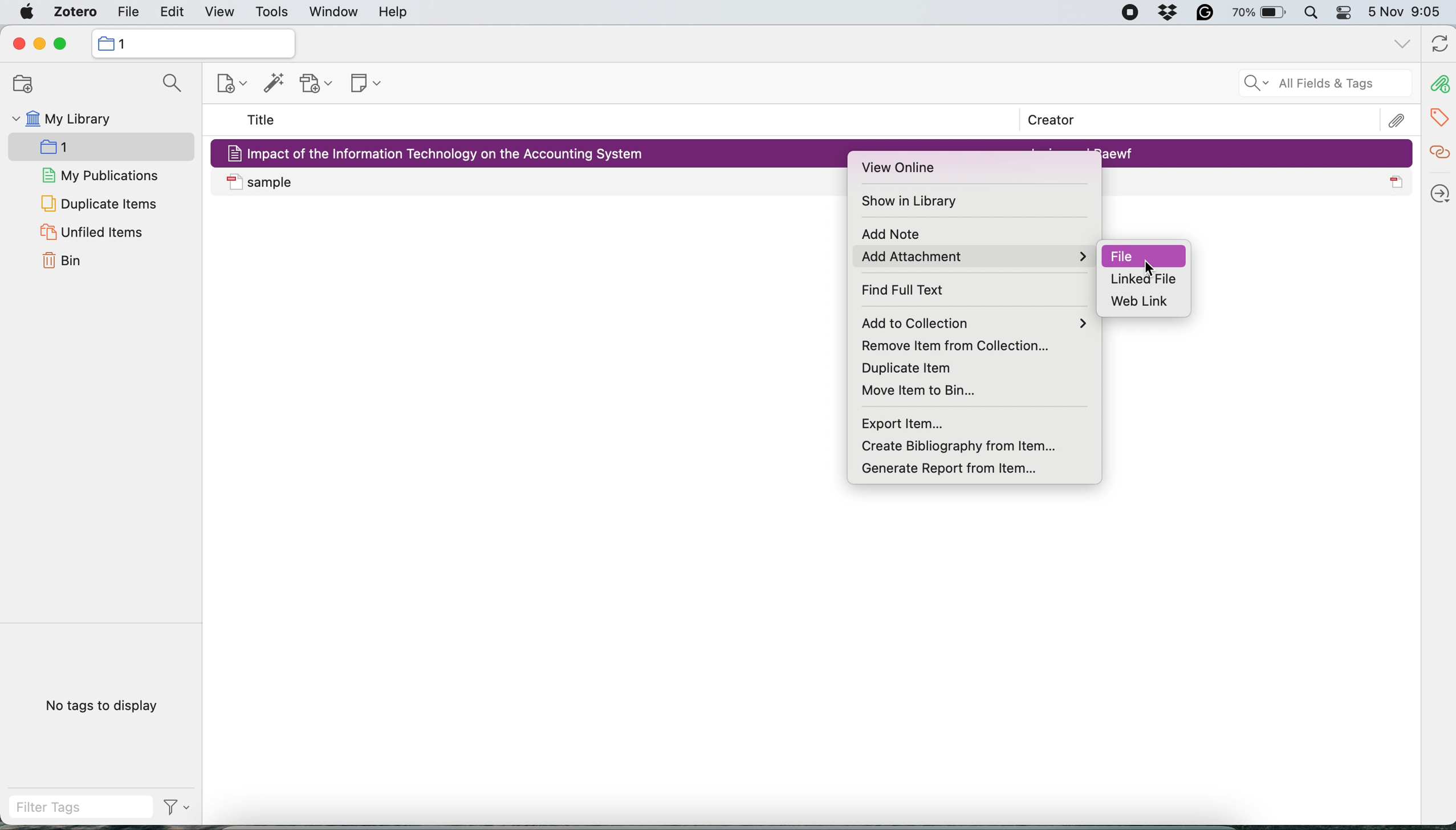  I want to click on cursor, so click(1150, 269).